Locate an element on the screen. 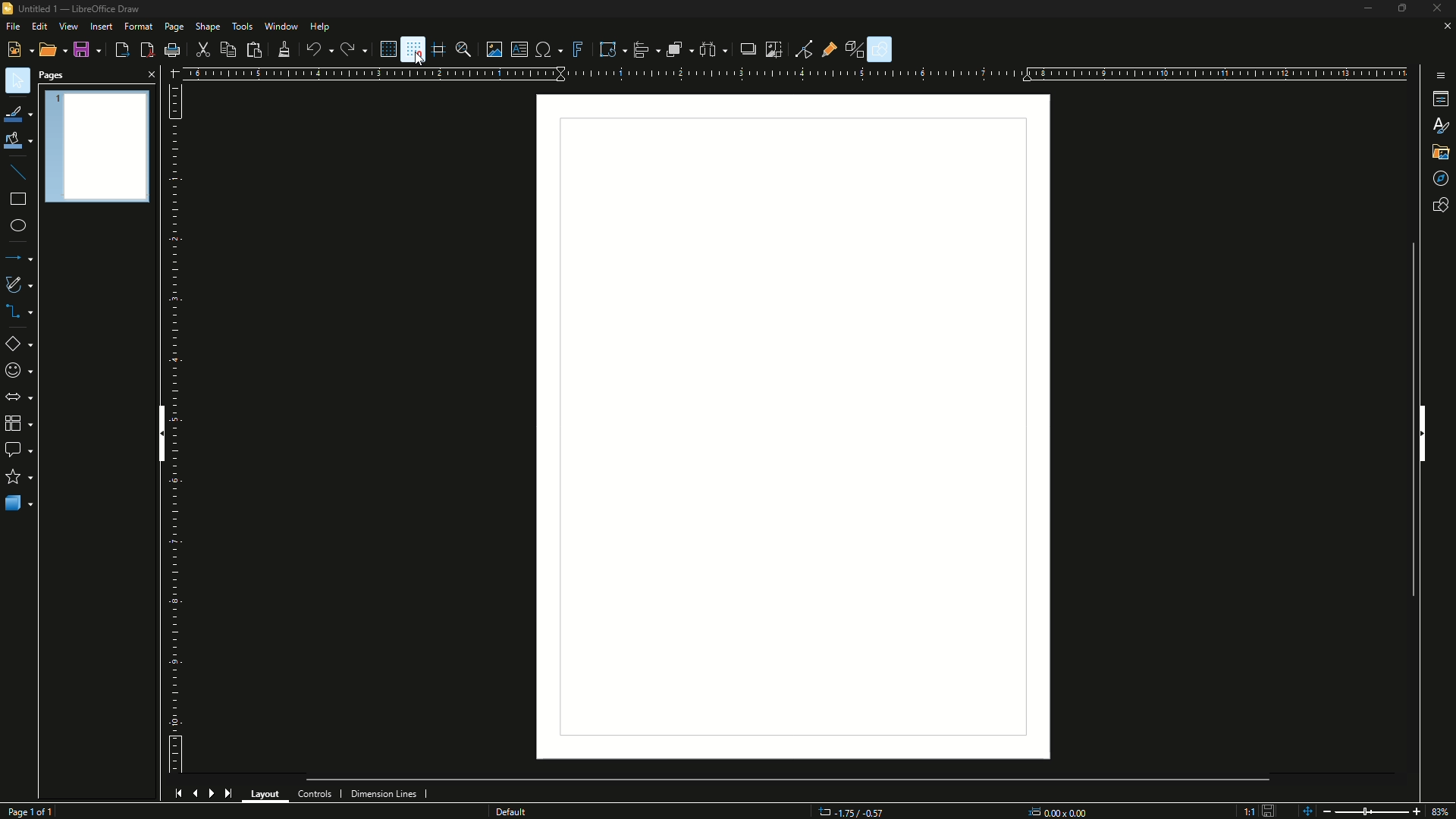 The height and width of the screenshot is (819, 1456). Close is located at coordinates (155, 74).